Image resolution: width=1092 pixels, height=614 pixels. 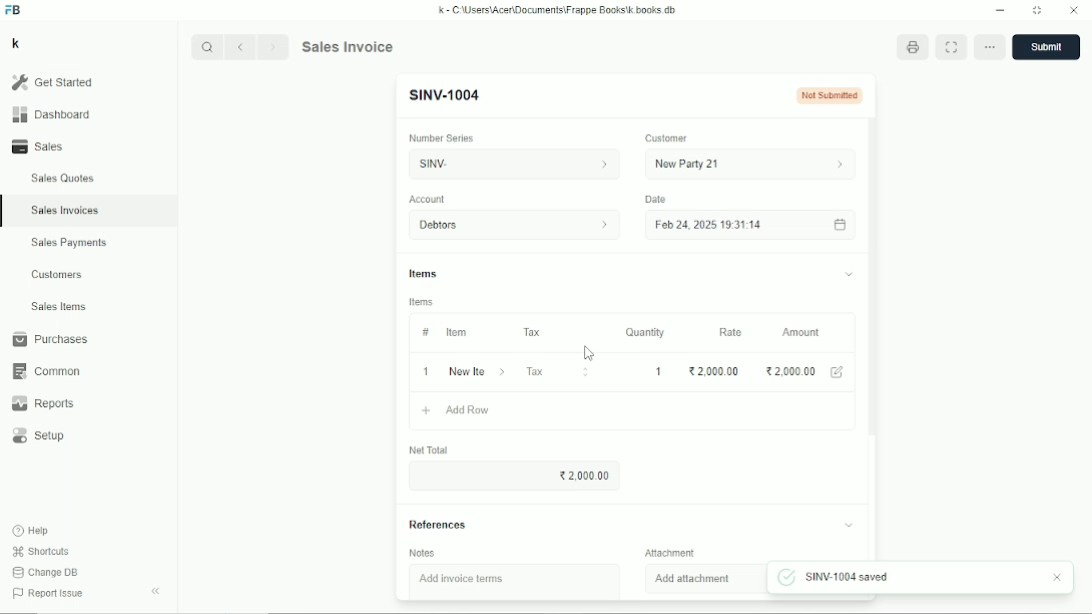 I want to click on Not submitted, so click(x=830, y=95).